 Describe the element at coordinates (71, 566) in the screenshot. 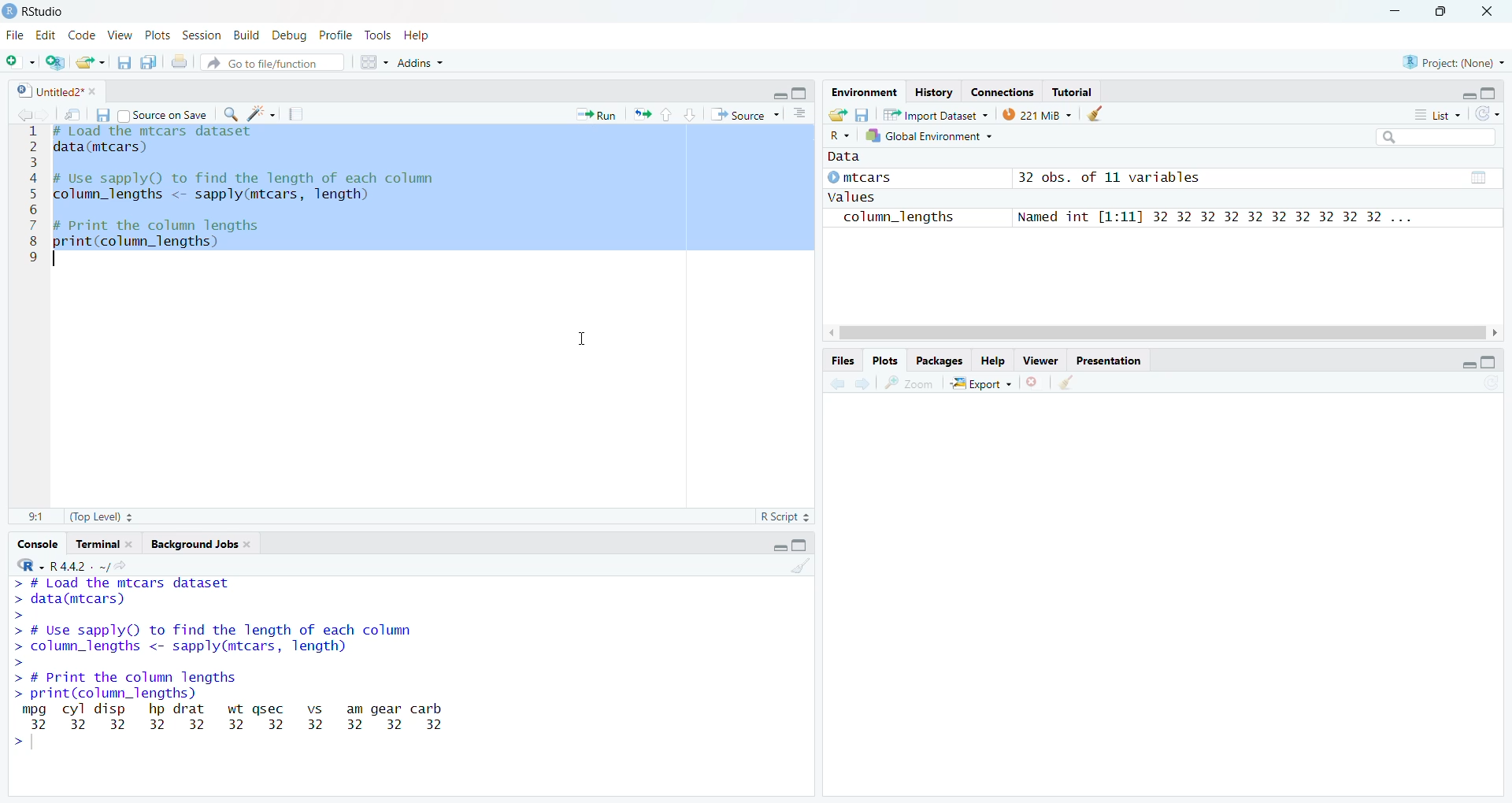

I see `R-R442. ~/` at that location.